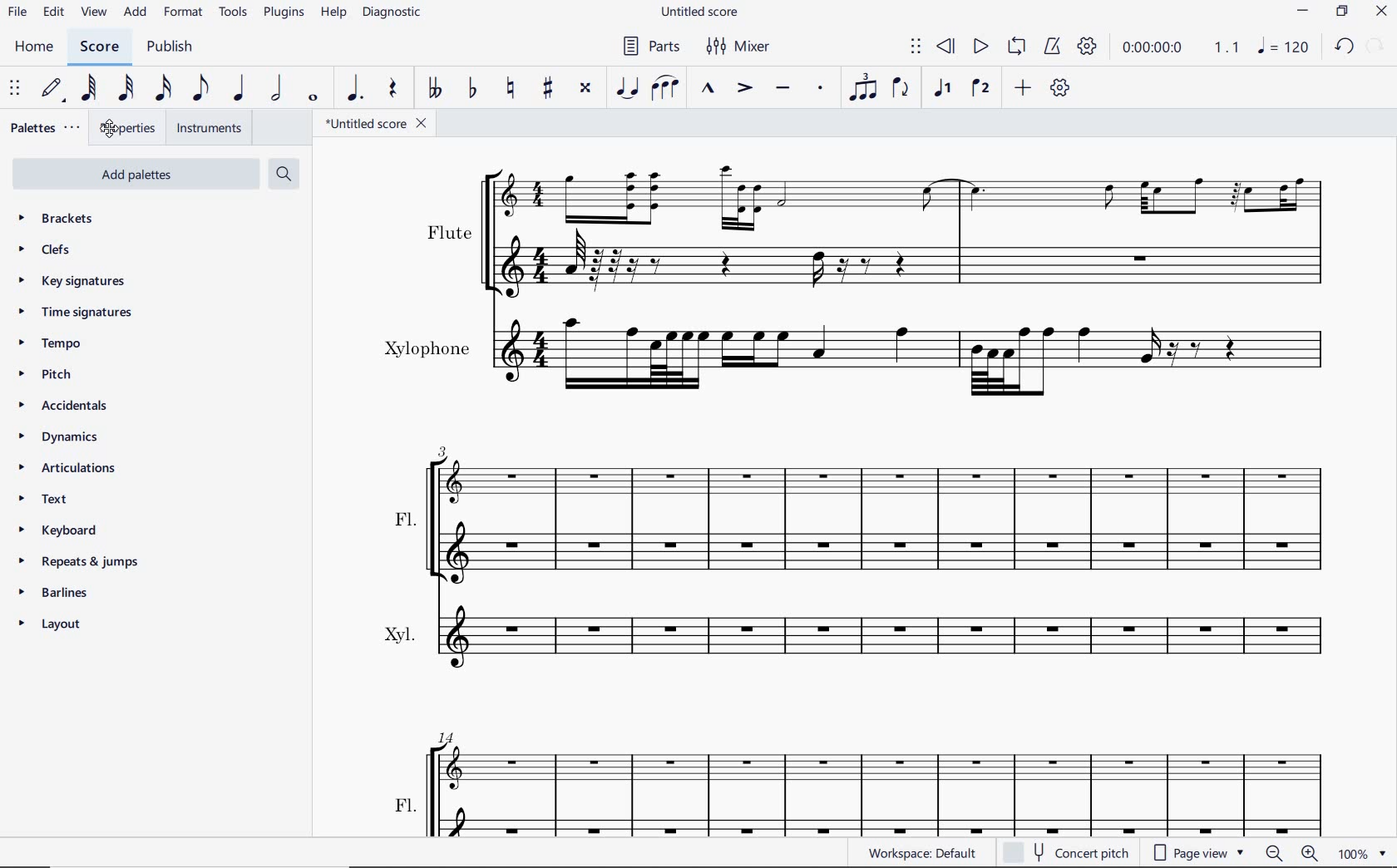 The width and height of the screenshot is (1397, 868). Describe the element at coordinates (1305, 11) in the screenshot. I see `MINIMIZE` at that location.